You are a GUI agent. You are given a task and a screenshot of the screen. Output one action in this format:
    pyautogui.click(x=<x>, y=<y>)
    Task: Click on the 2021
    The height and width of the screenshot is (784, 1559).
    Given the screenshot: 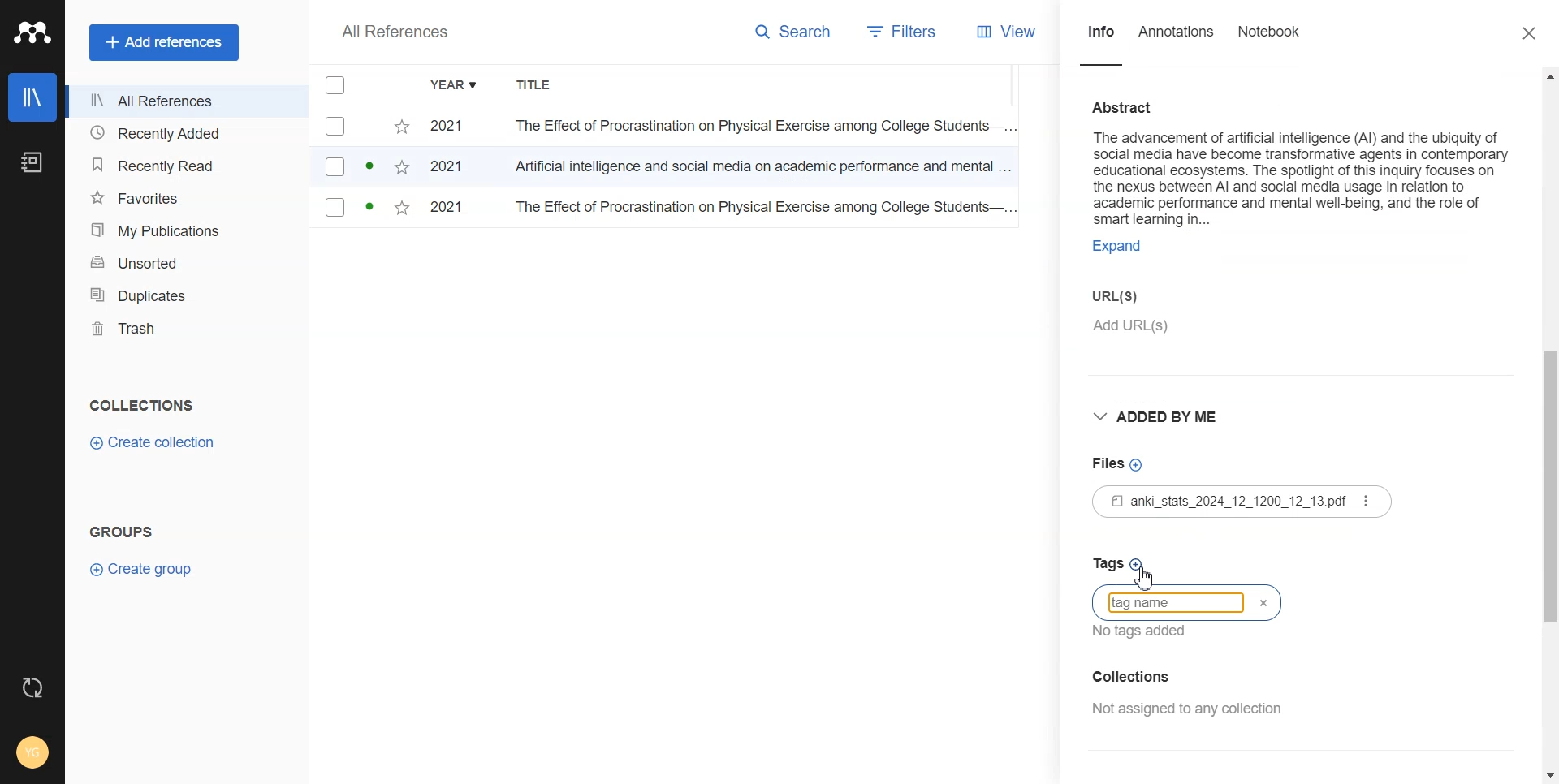 What is the action you would take?
    pyautogui.click(x=453, y=170)
    